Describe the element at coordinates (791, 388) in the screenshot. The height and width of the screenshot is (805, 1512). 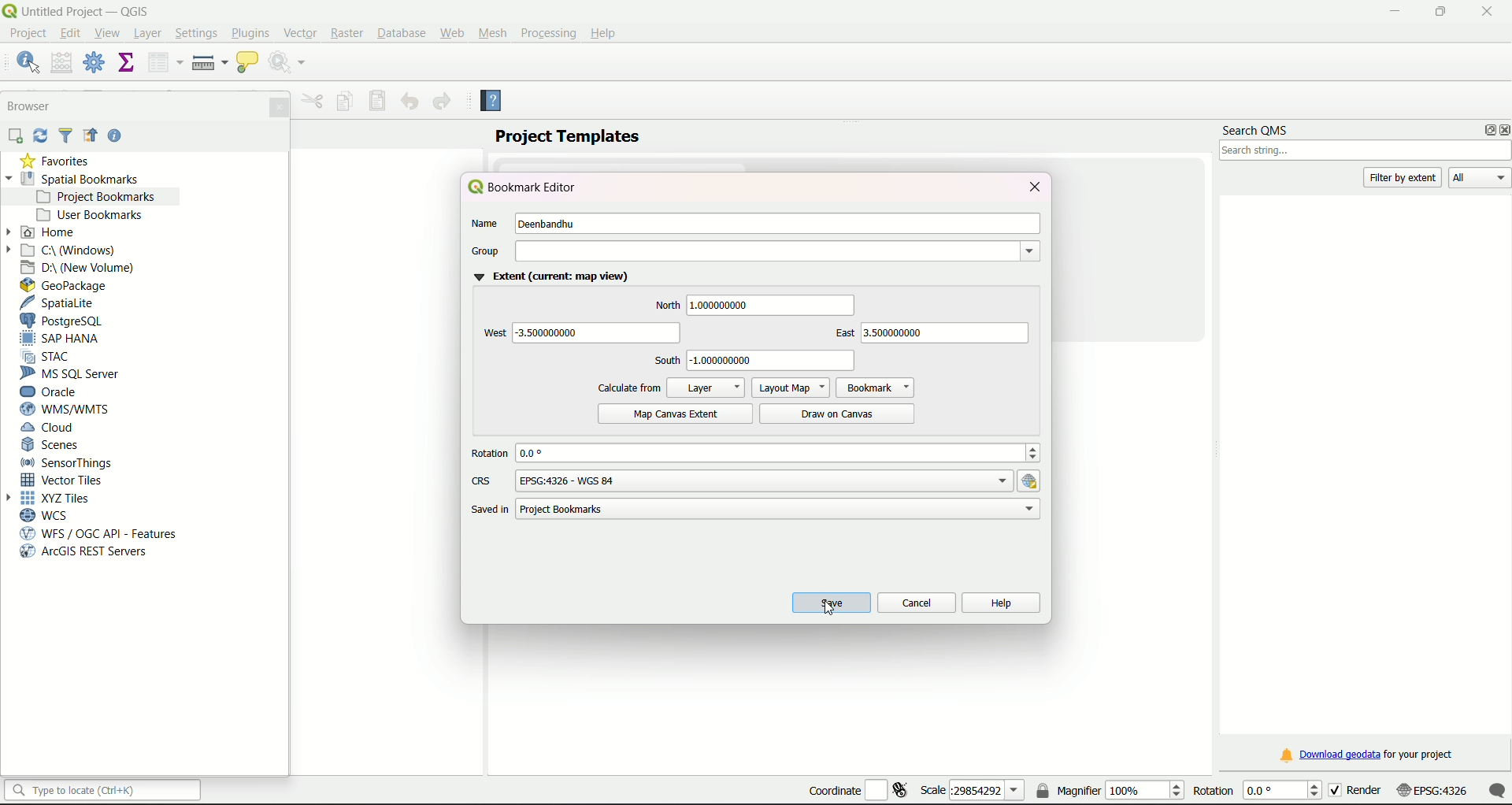
I see `Layout Map` at that location.